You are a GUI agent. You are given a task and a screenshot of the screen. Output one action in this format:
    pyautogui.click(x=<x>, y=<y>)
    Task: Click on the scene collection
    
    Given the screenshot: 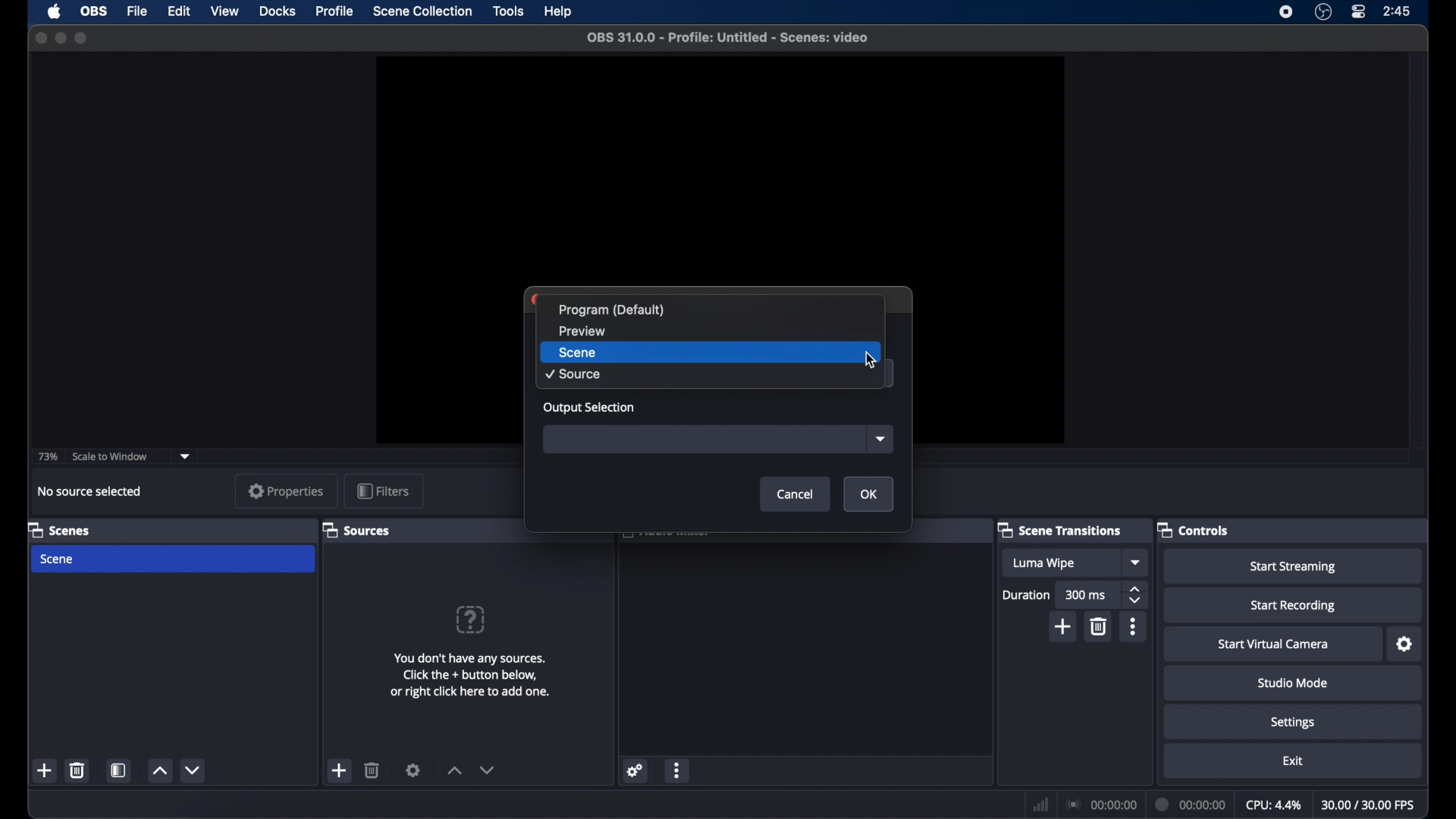 What is the action you would take?
    pyautogui.click(x=422, y=11)
    